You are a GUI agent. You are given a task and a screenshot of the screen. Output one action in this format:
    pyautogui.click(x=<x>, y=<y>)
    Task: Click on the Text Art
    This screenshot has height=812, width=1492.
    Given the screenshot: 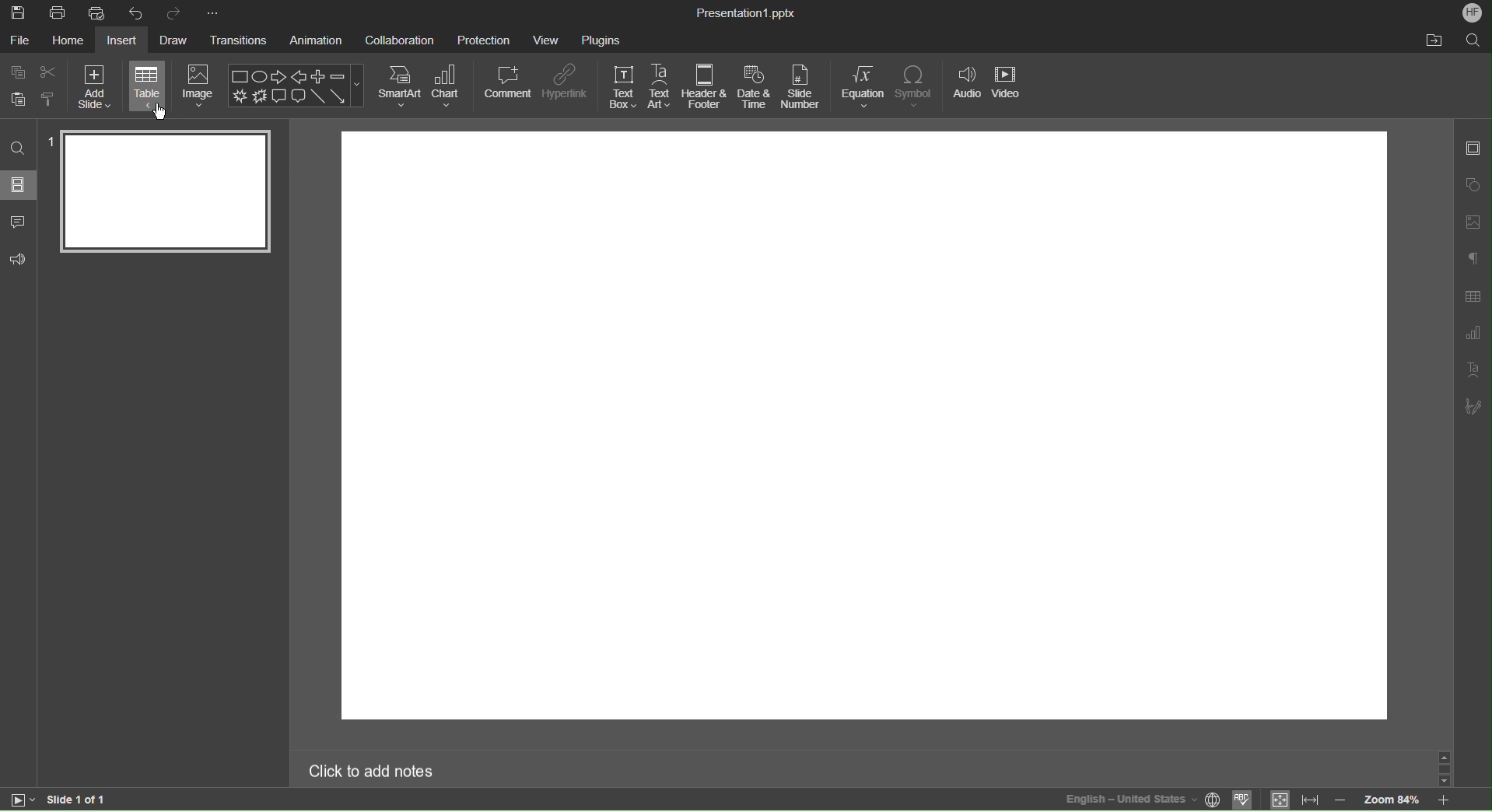 What is the action you would take?
    pyautogui.click(x=1474, y=370)
    